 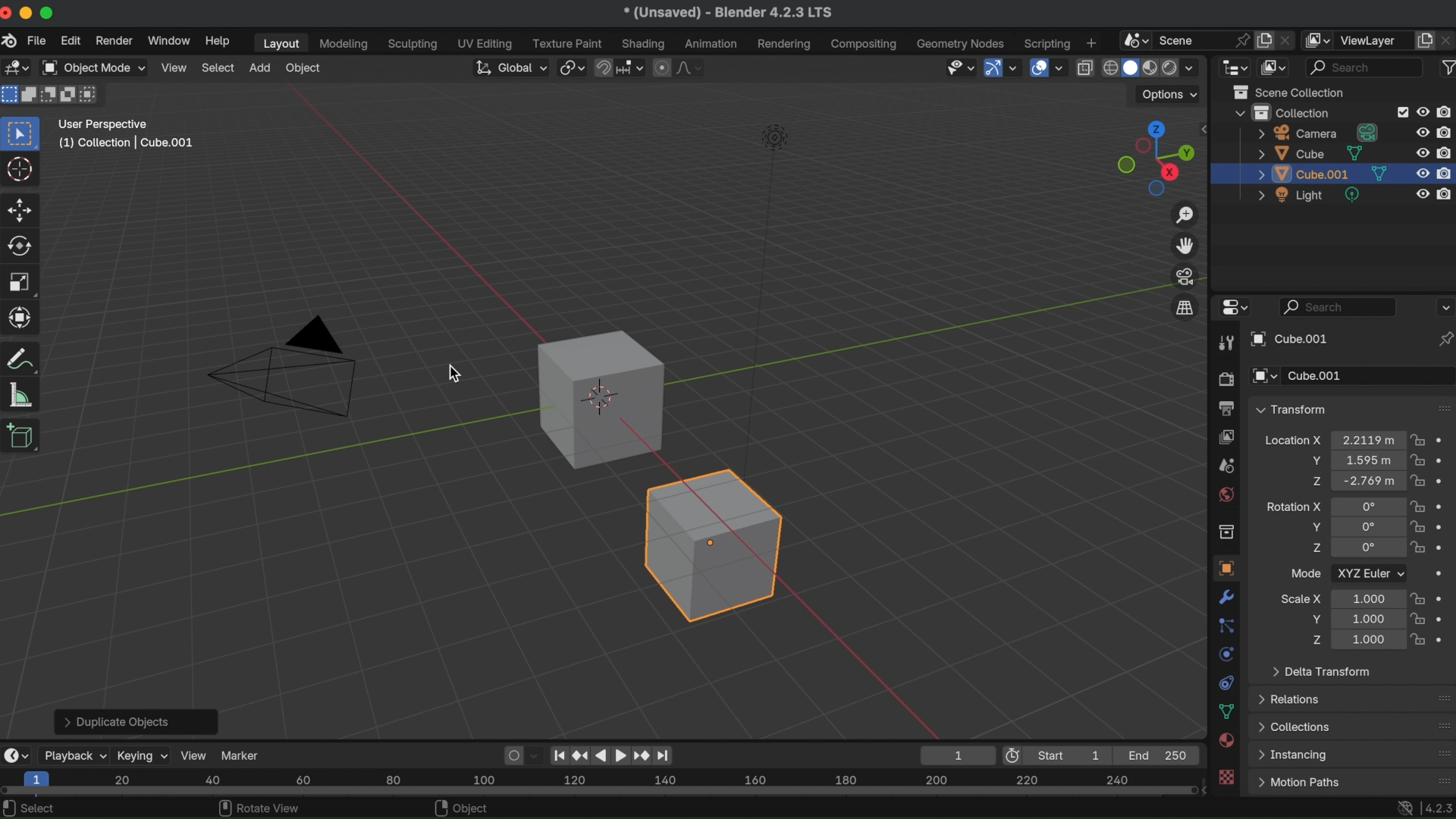 What do you see at coordinates (1367, 598) in the screenshot?
I see `Scale location` at bounding box center [1367, 598].